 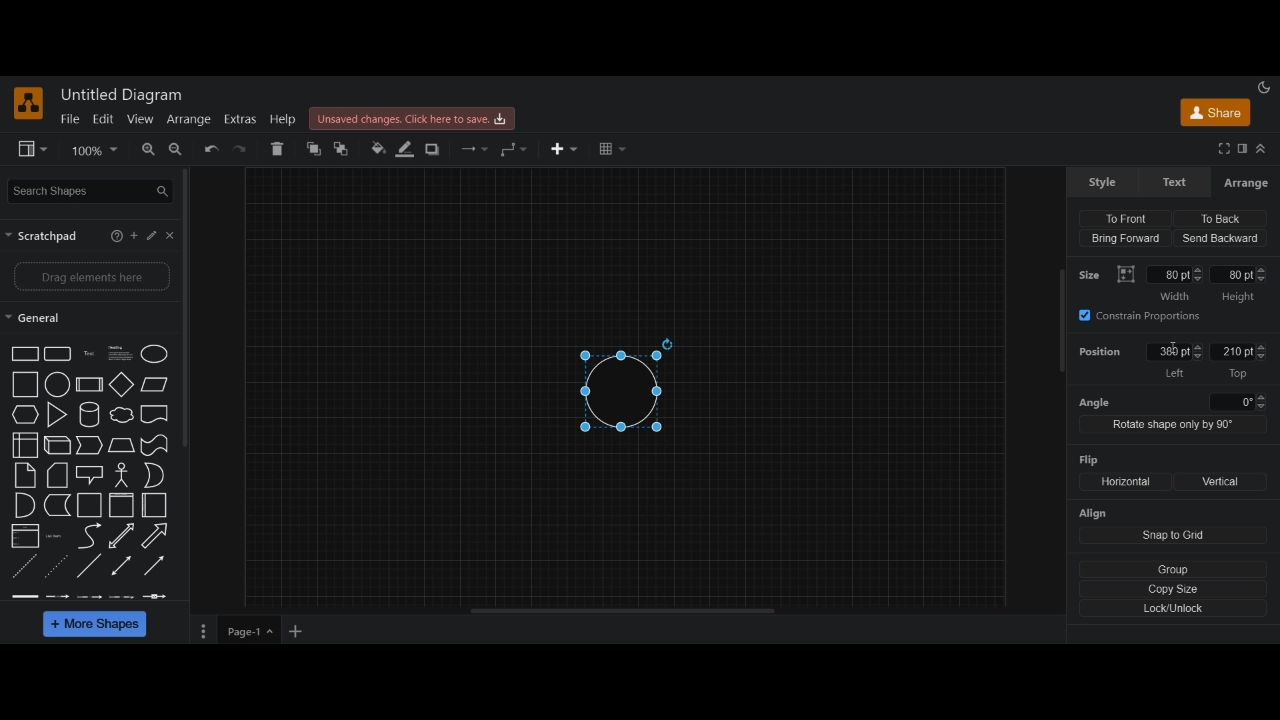 What do you see at coordinates (313, 149) in the screenshot?
I see `to front` at bounding box center [313, 149].